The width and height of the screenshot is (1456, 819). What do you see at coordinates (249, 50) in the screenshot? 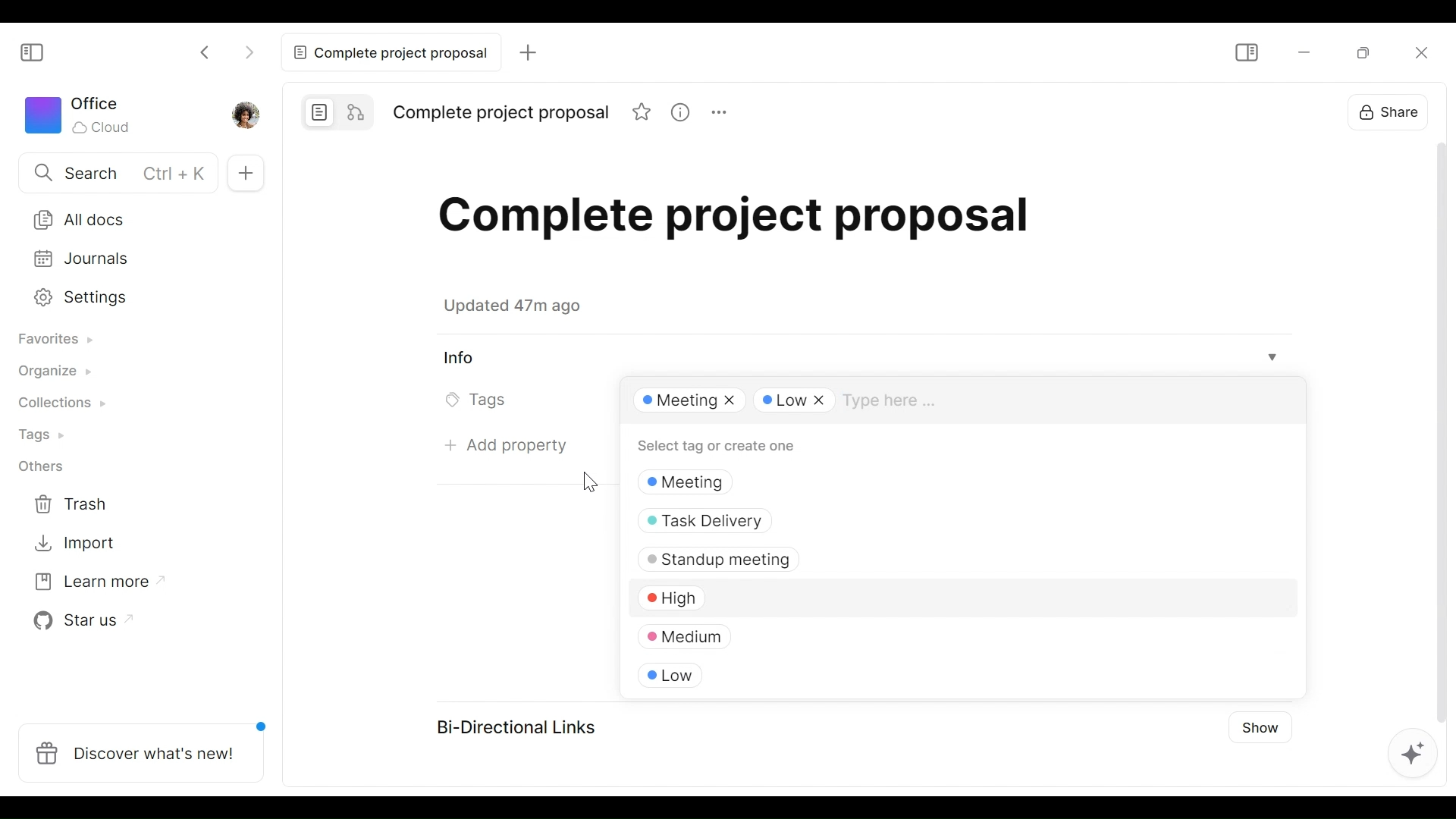
I see `Click to go forward` at bounding box center [249, 50].